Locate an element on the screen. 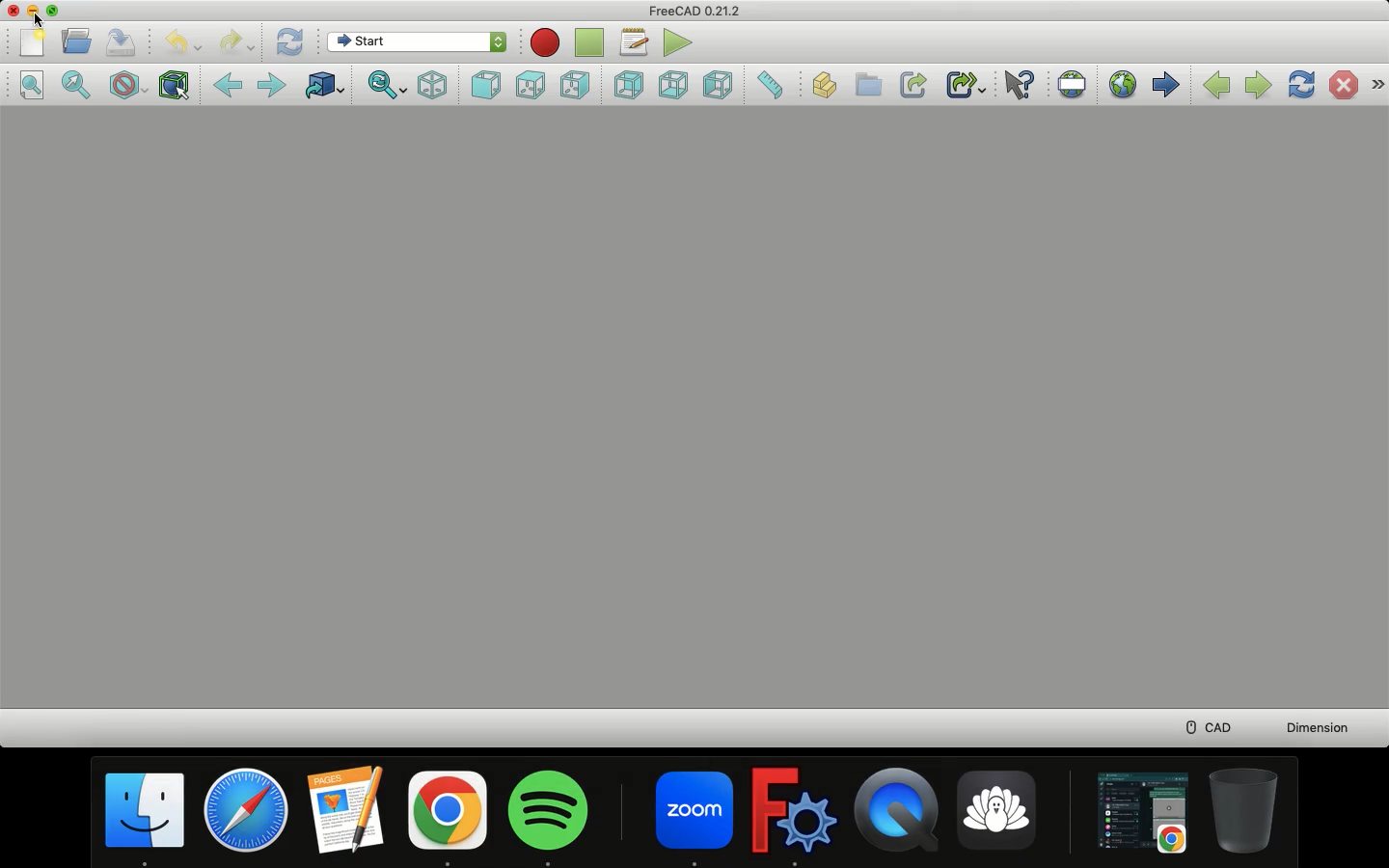  dimension is located at coordinates (1321, 727).